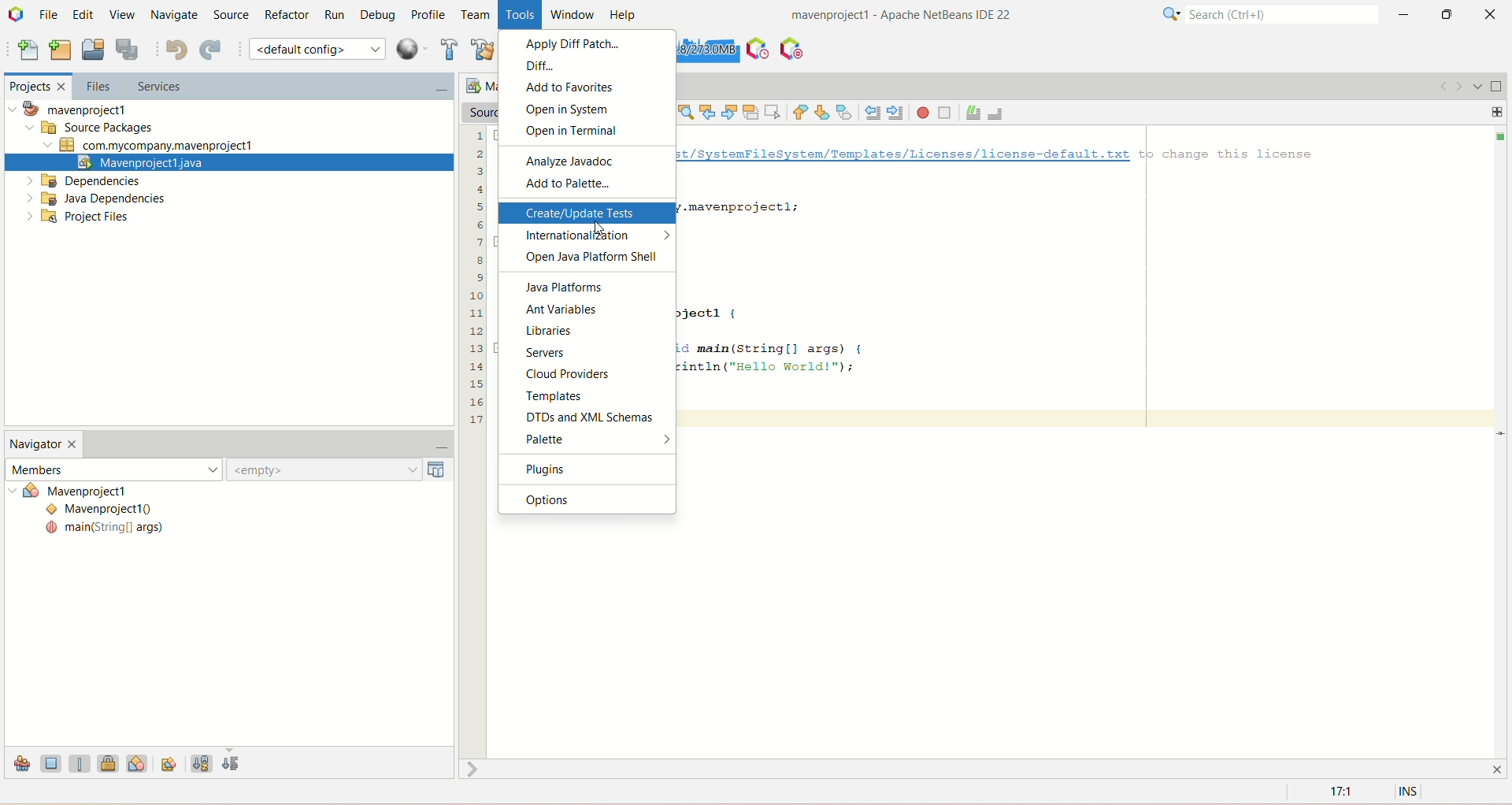  I want to click on undo, so click(176, 50).